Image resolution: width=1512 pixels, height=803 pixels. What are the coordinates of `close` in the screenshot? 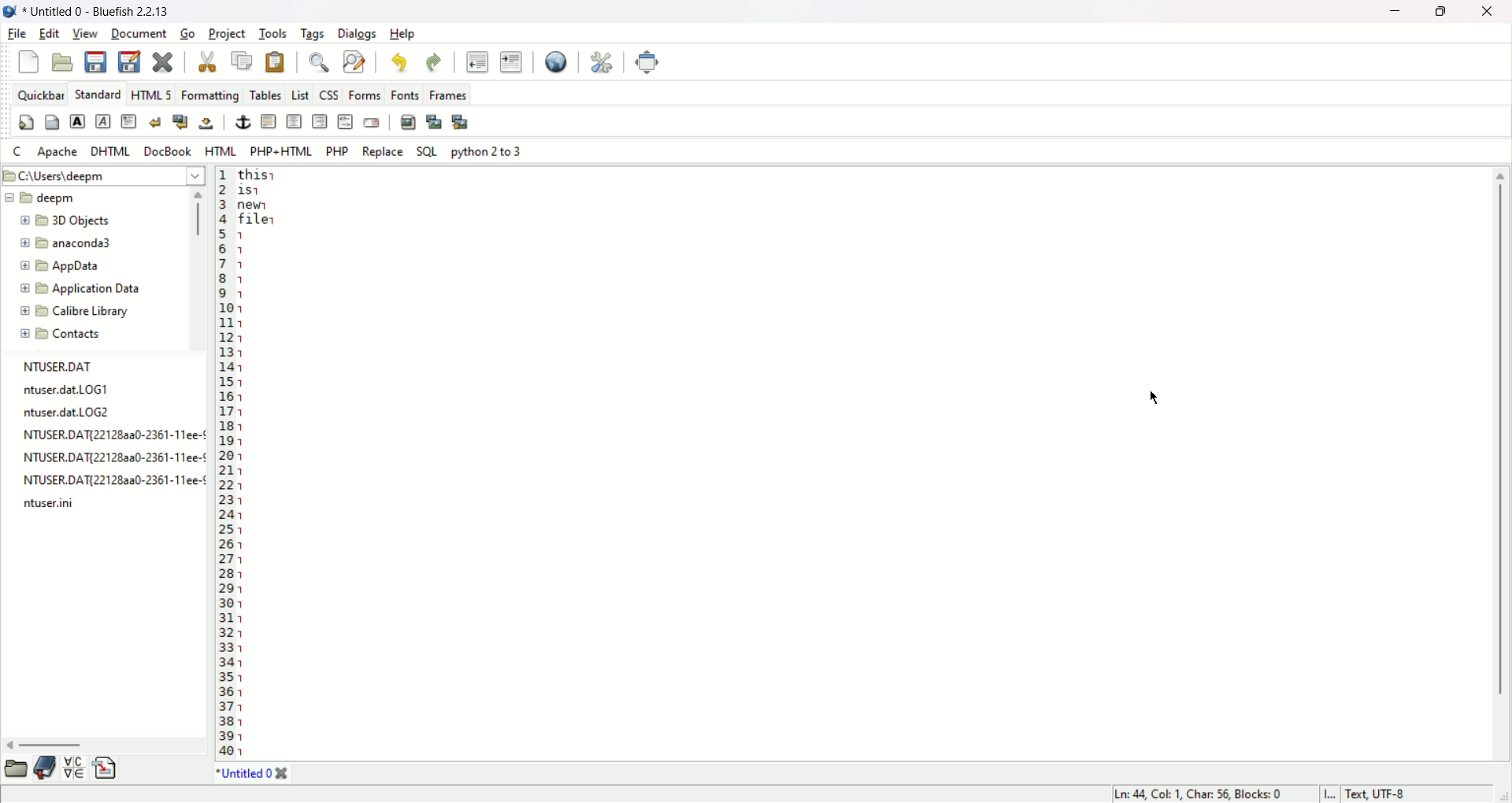 It's located at (1488, 10).